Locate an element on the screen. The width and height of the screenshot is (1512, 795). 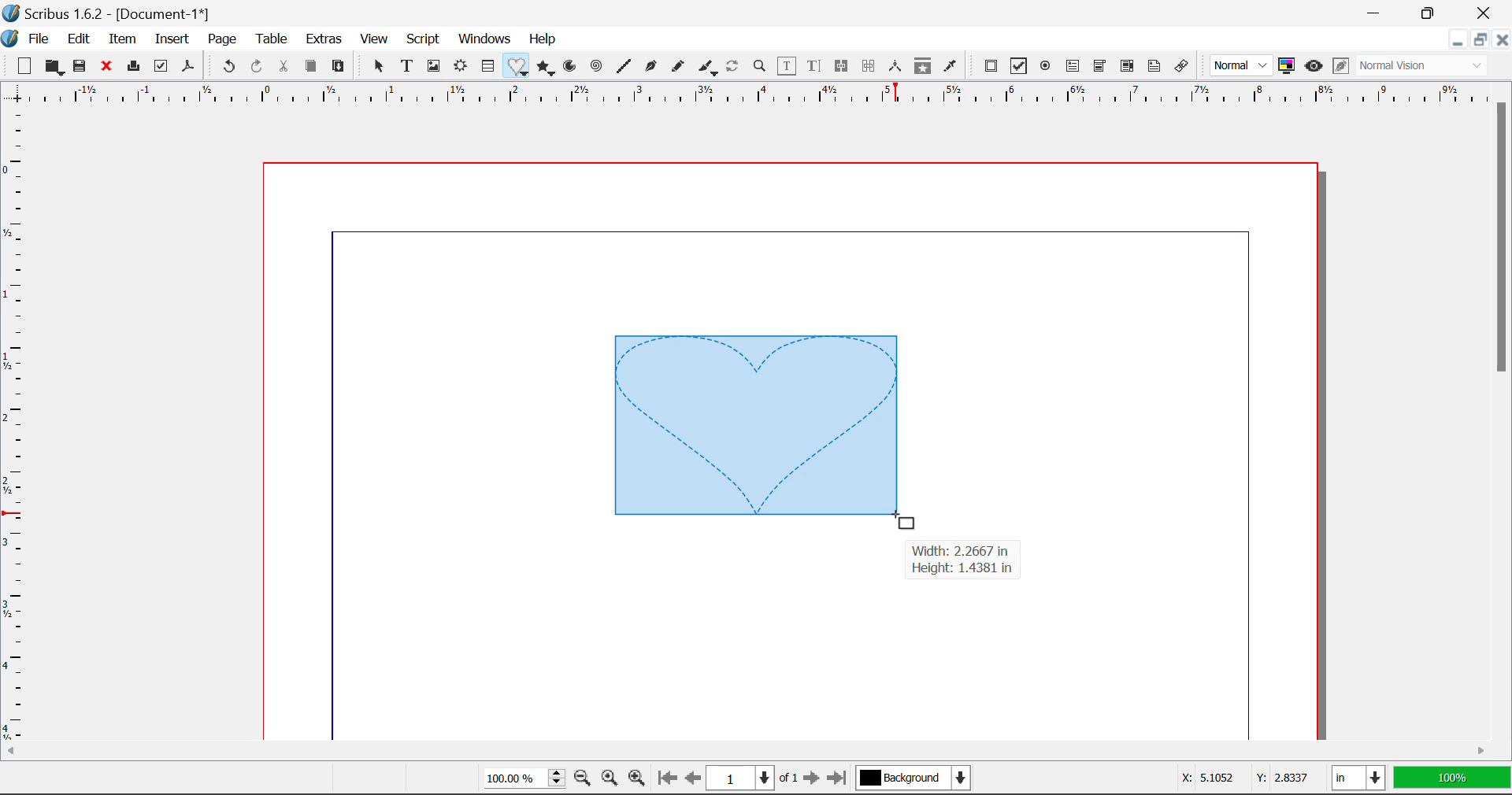
Refresh is located at coordinates (736, 68).